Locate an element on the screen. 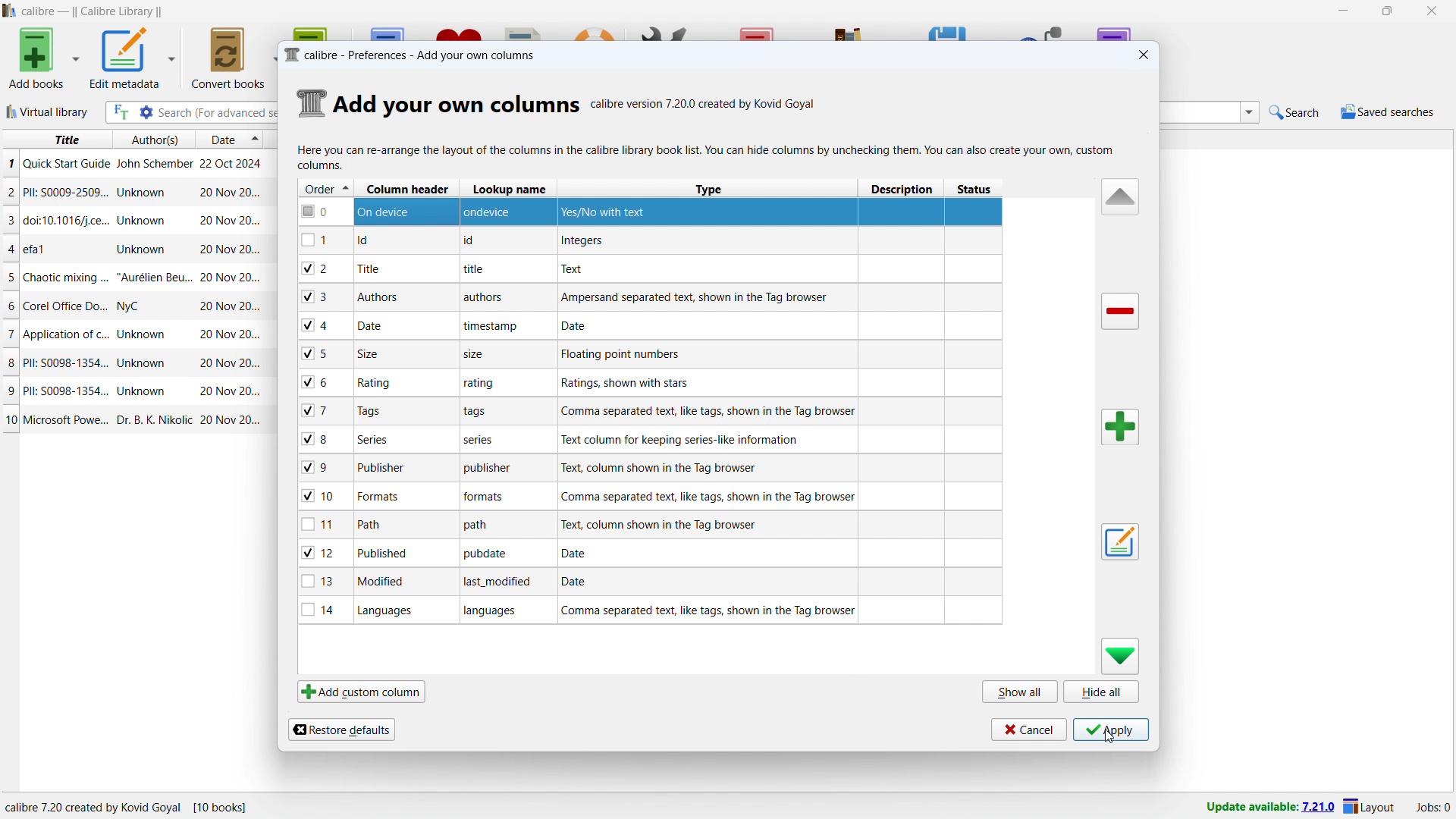 The height and width of the screenshot is (819, 1456). add custom column is located at coordinates (362, 692).